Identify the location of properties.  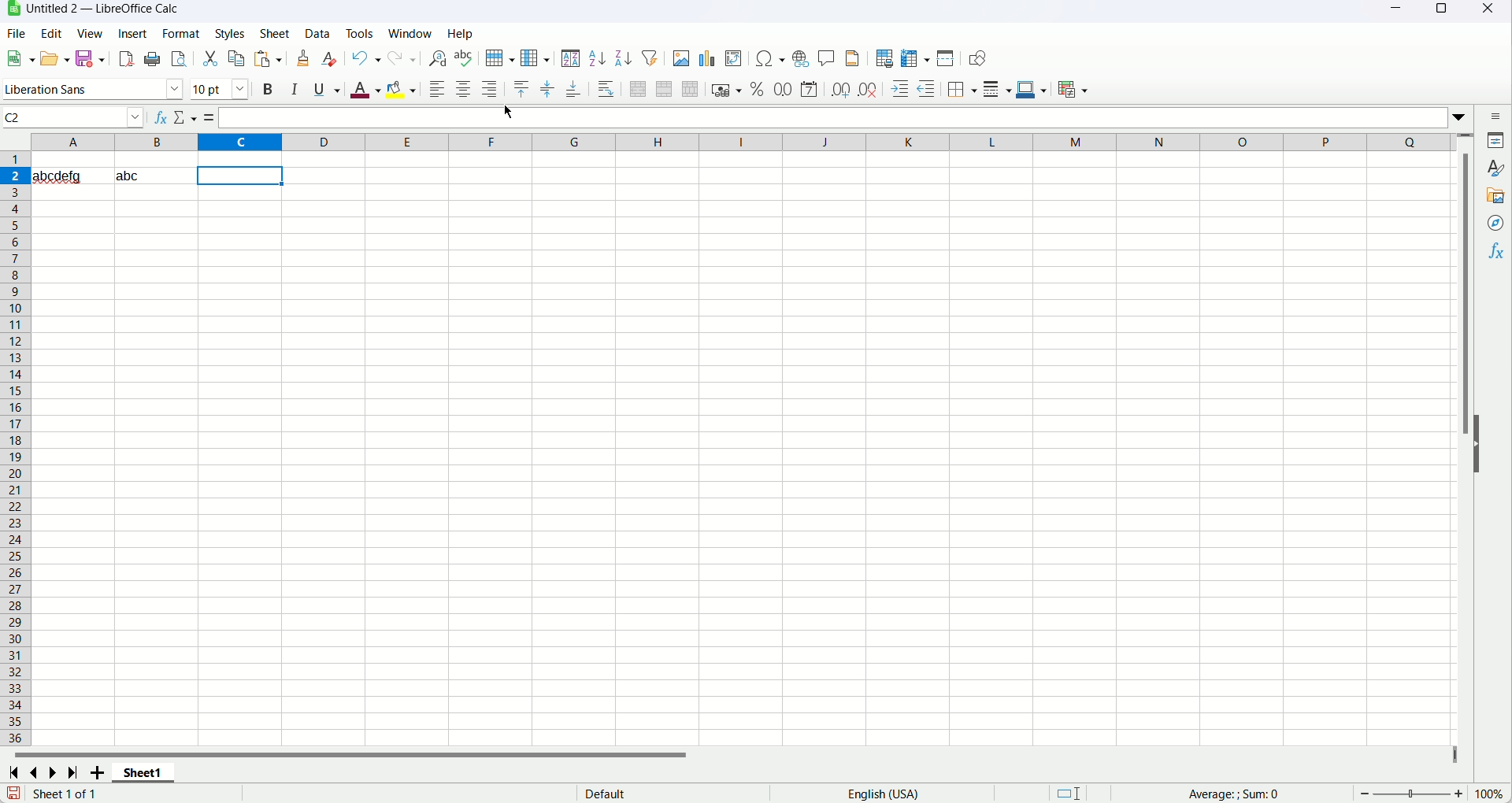
(1492, 140).